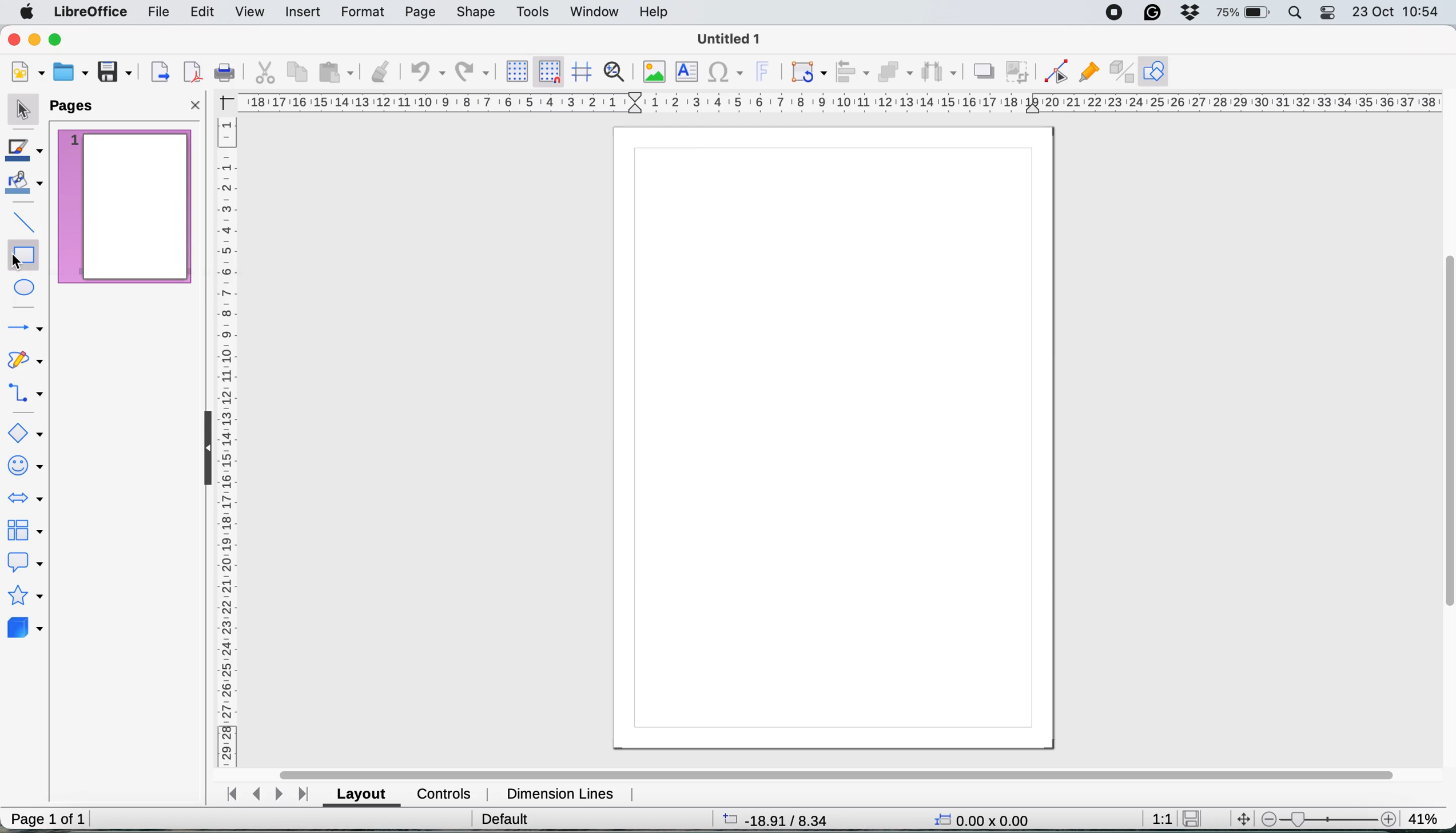 The image size is (1456, 833). Describe the element at coordinates (34, 38) in the screenshot. I see `minimise` at that location.